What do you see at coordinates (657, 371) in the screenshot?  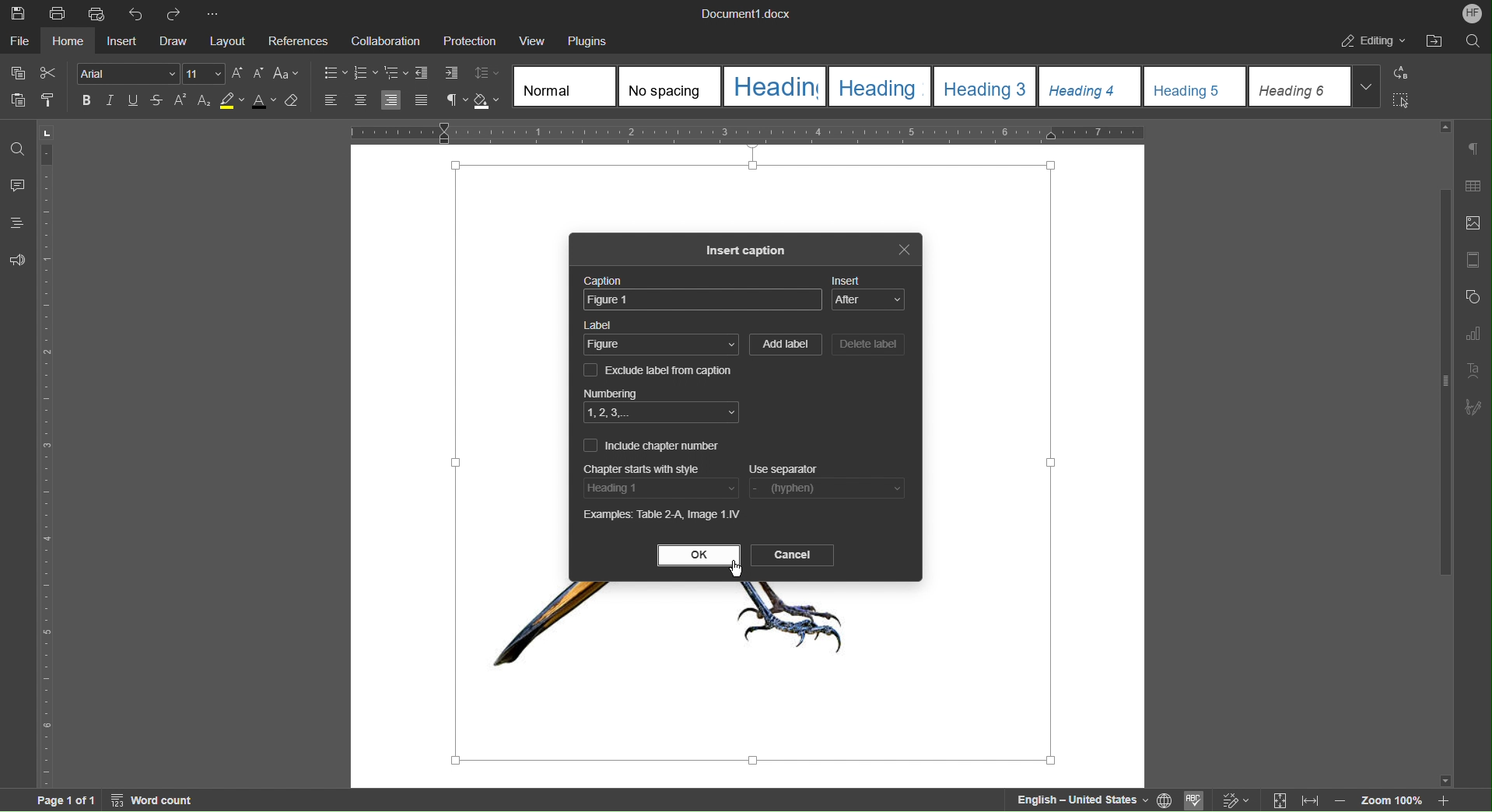 I see `Exclude label from caption` at bounding box center [657, 371].